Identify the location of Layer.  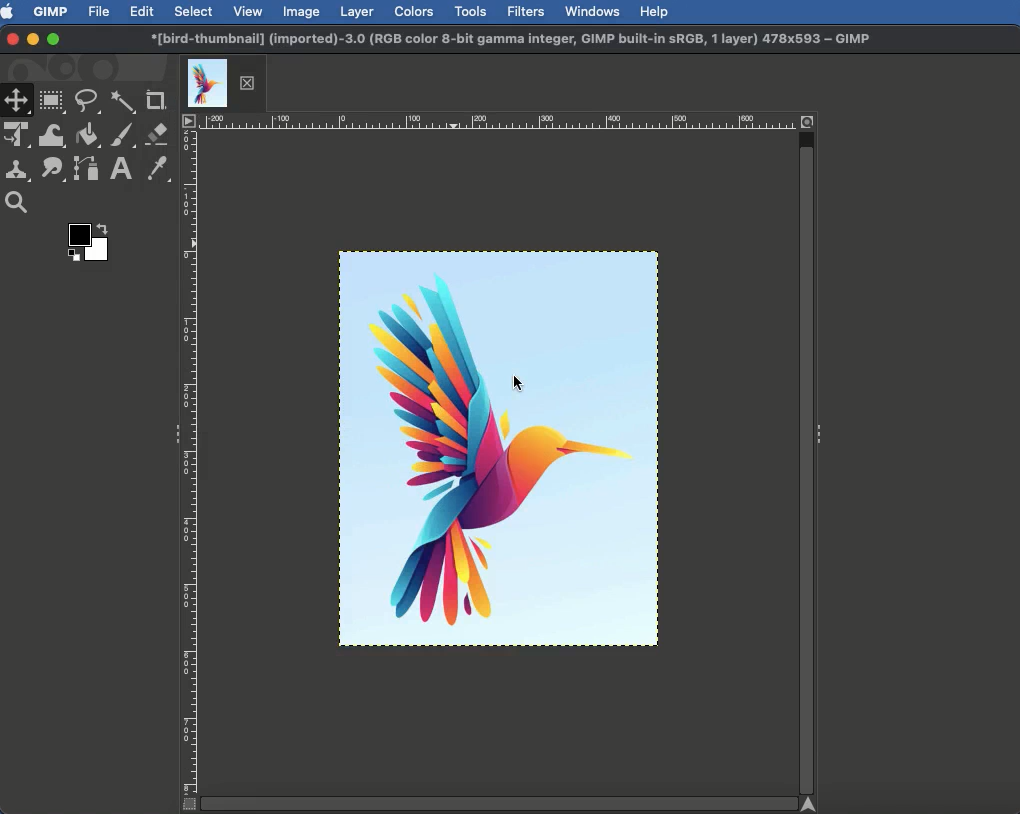
(357, 12).